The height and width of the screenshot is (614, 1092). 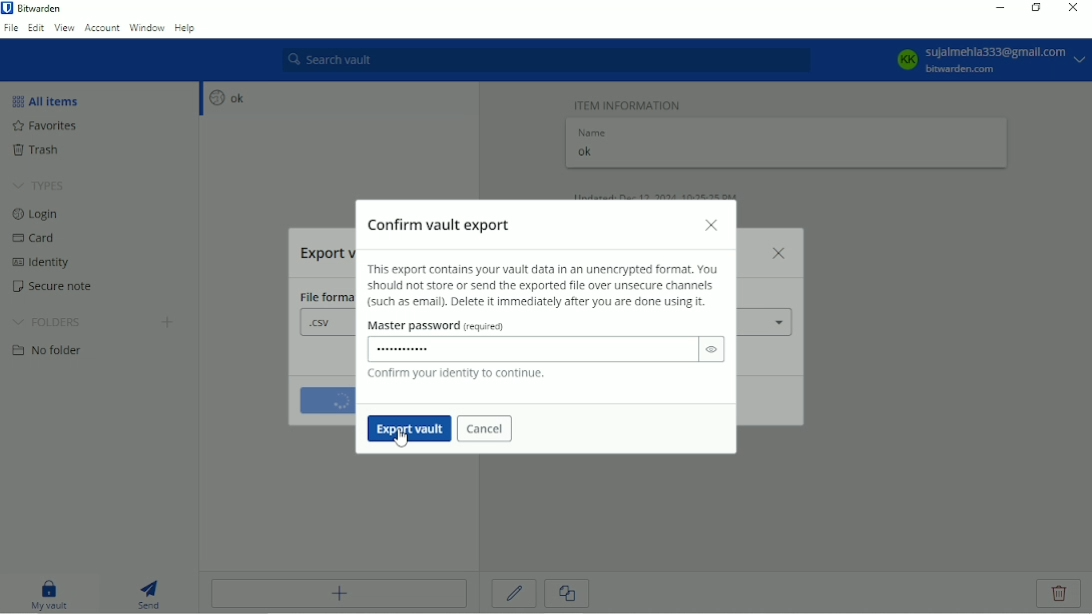 I want to click on Window, so click(x=147, y=27).